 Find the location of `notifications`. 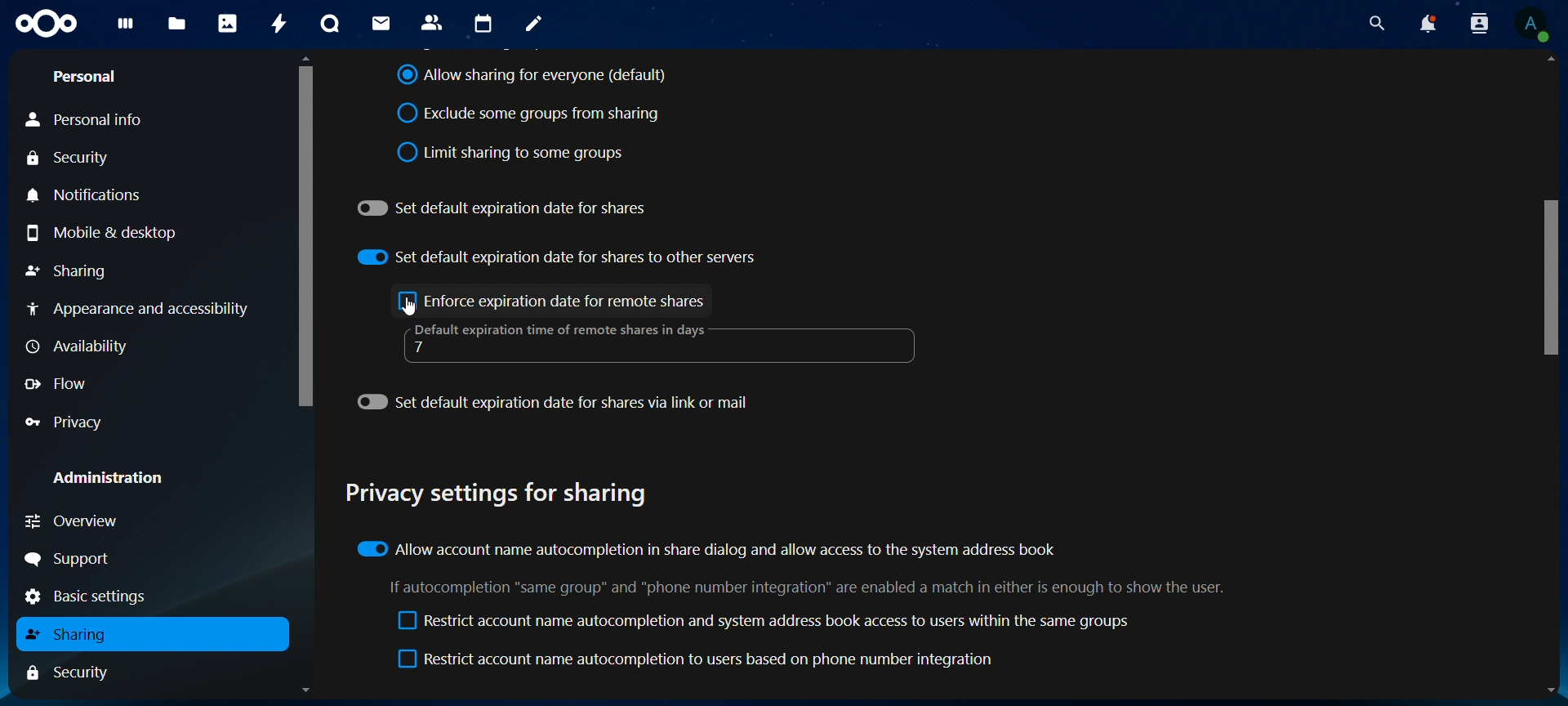

notifications is located at coordinates (1427, 25).